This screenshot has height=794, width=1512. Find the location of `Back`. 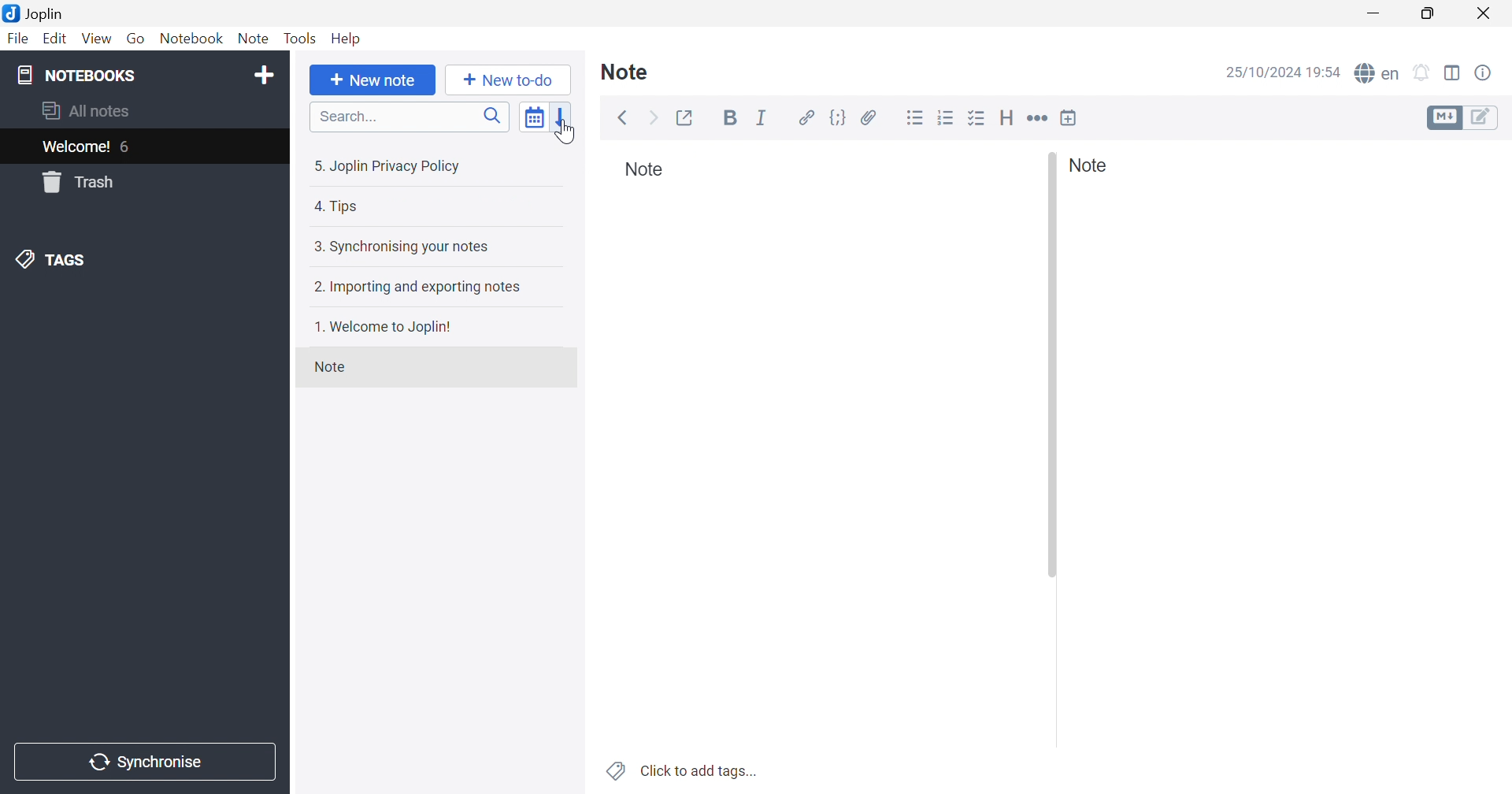

Back is located at coordinates (624, 118).